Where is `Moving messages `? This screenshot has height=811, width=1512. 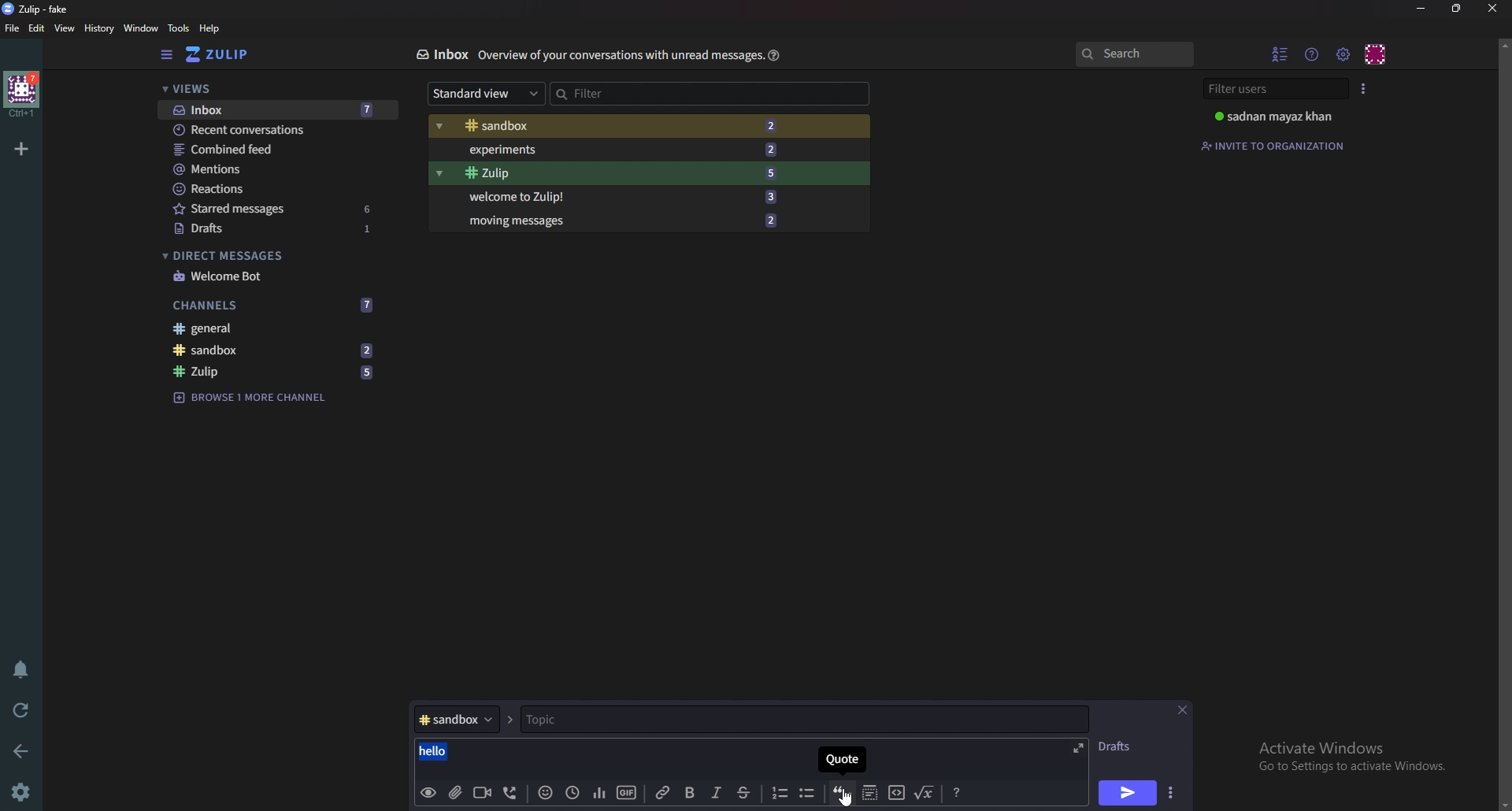 Moving messages  is located at coordinates (524, 224).